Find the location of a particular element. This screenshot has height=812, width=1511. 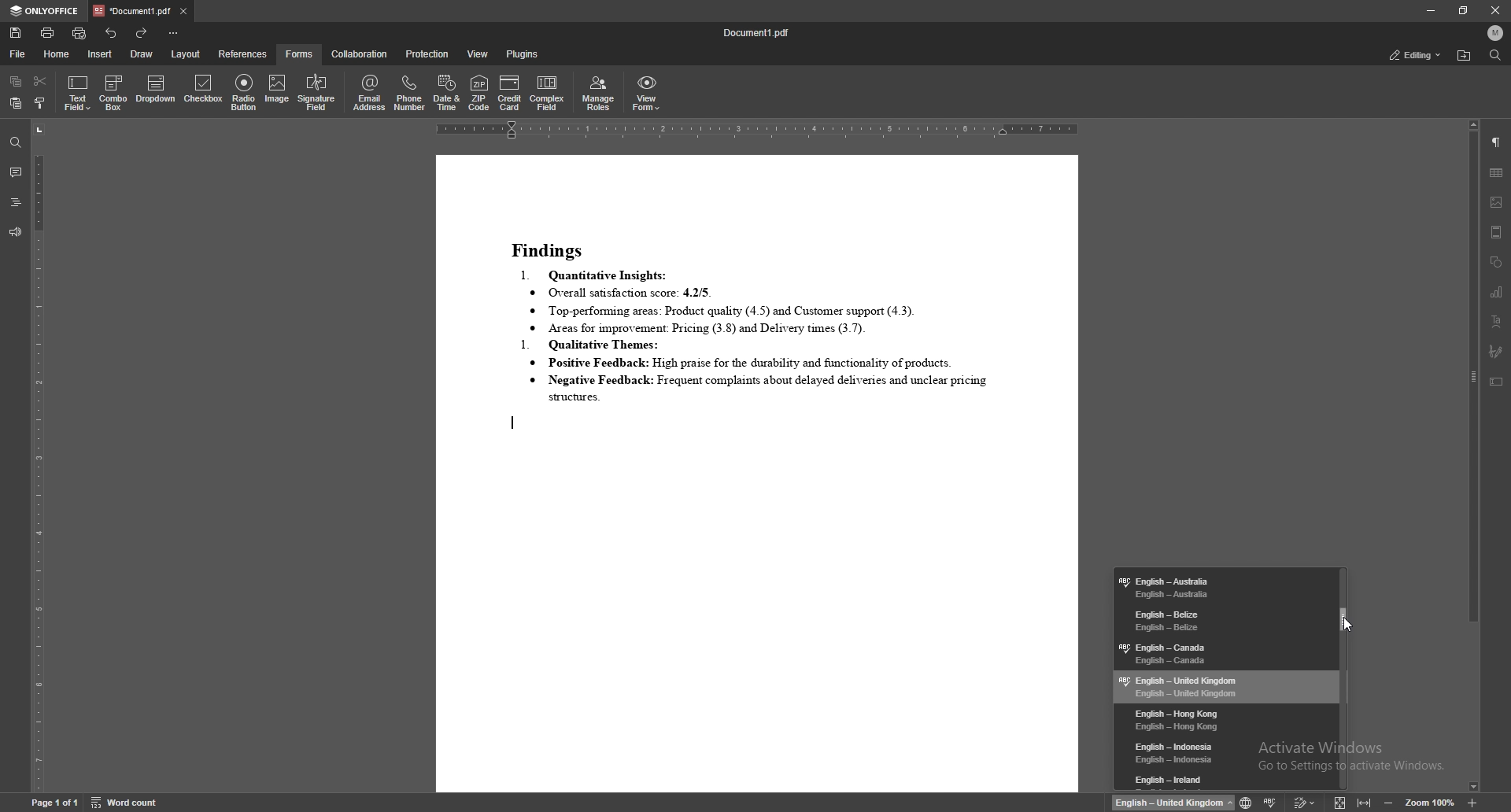

language is located at coordinates (1225, 780).